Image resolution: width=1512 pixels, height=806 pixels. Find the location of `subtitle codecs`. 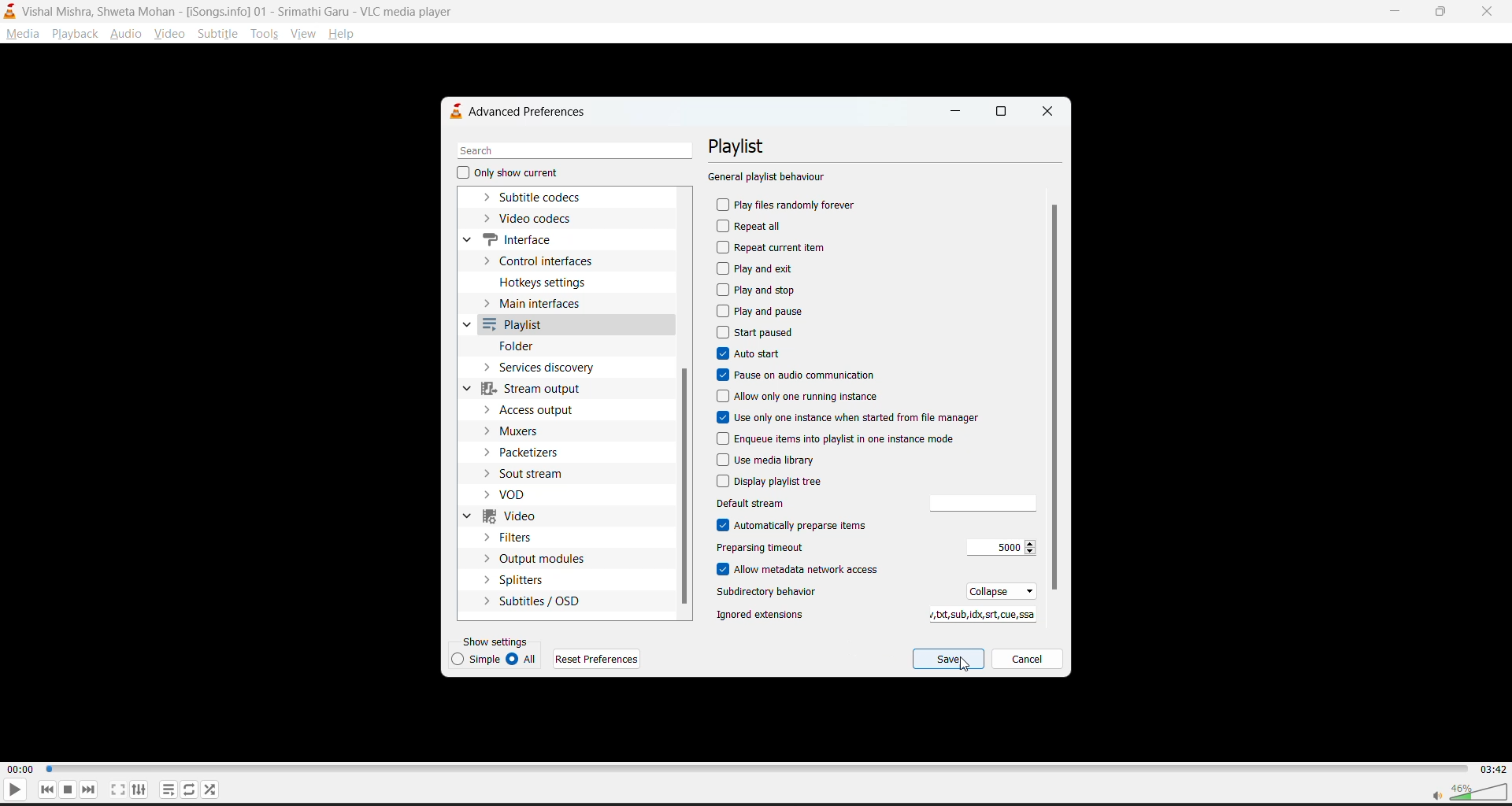

subtitle codecs is located at coordinates (543, 198).